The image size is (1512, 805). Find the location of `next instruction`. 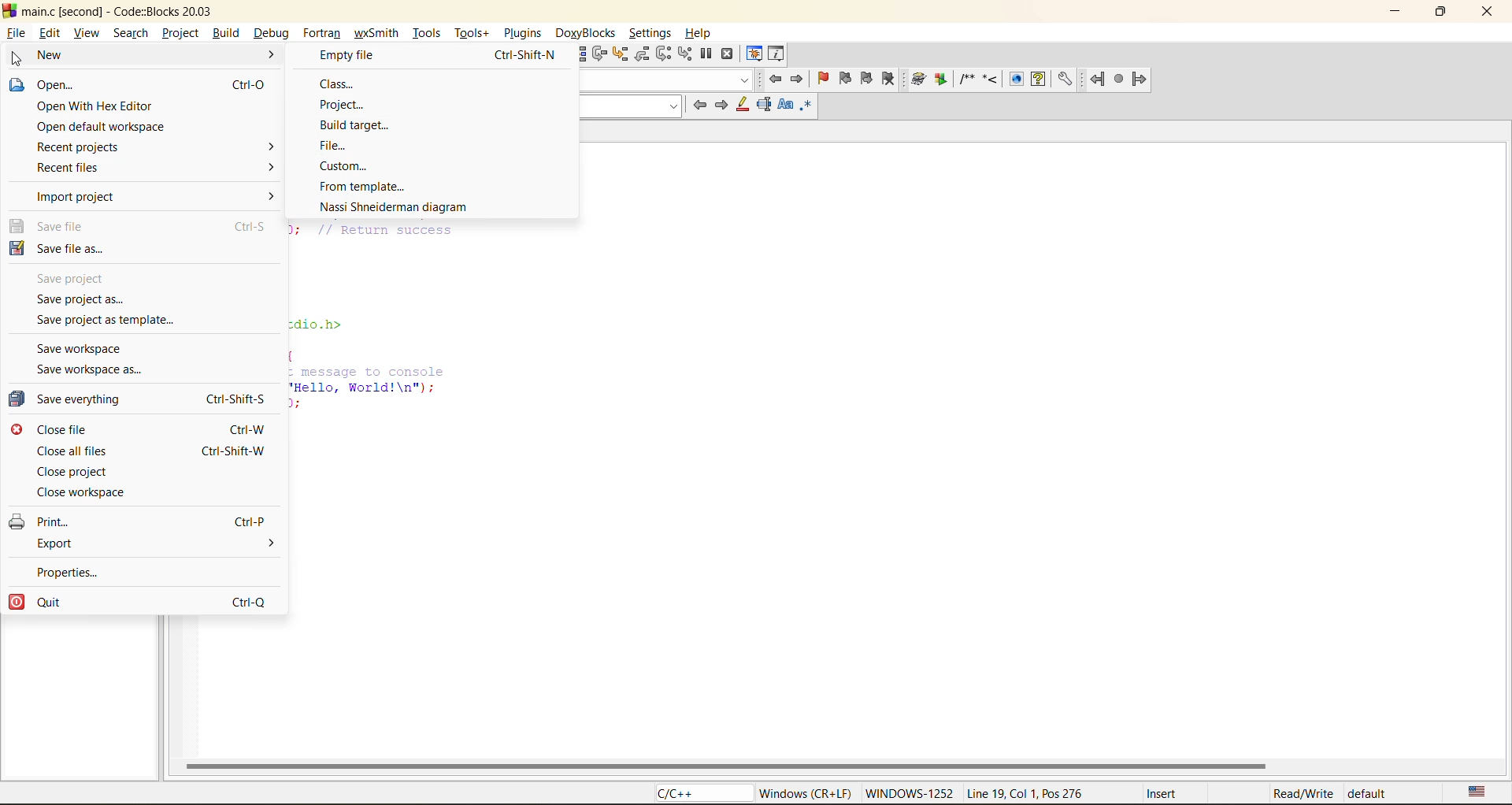

next instruction is located at coordinates (664, 53).